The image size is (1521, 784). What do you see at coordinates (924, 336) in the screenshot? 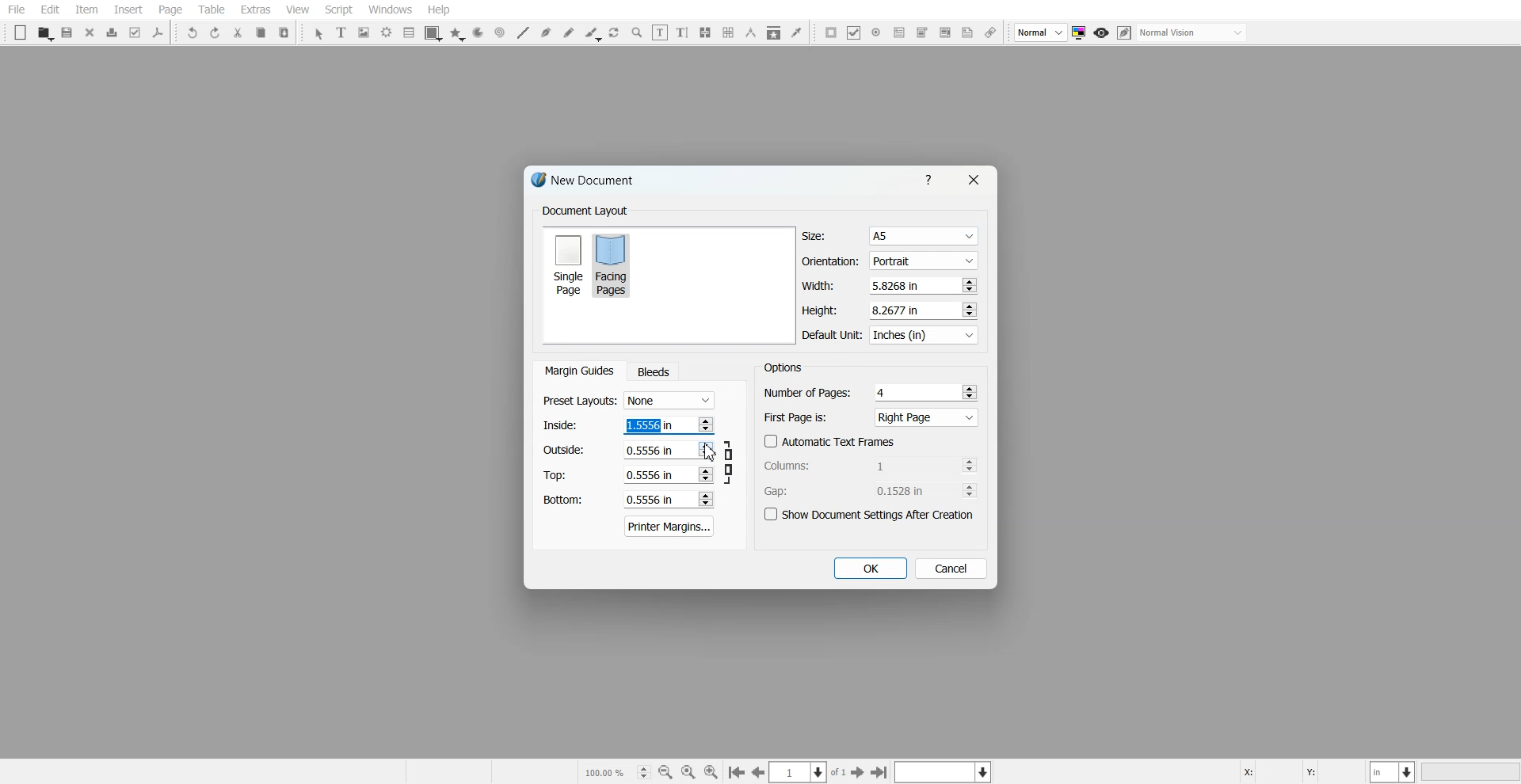
I see `Inches` at bounding box center [924, 336].